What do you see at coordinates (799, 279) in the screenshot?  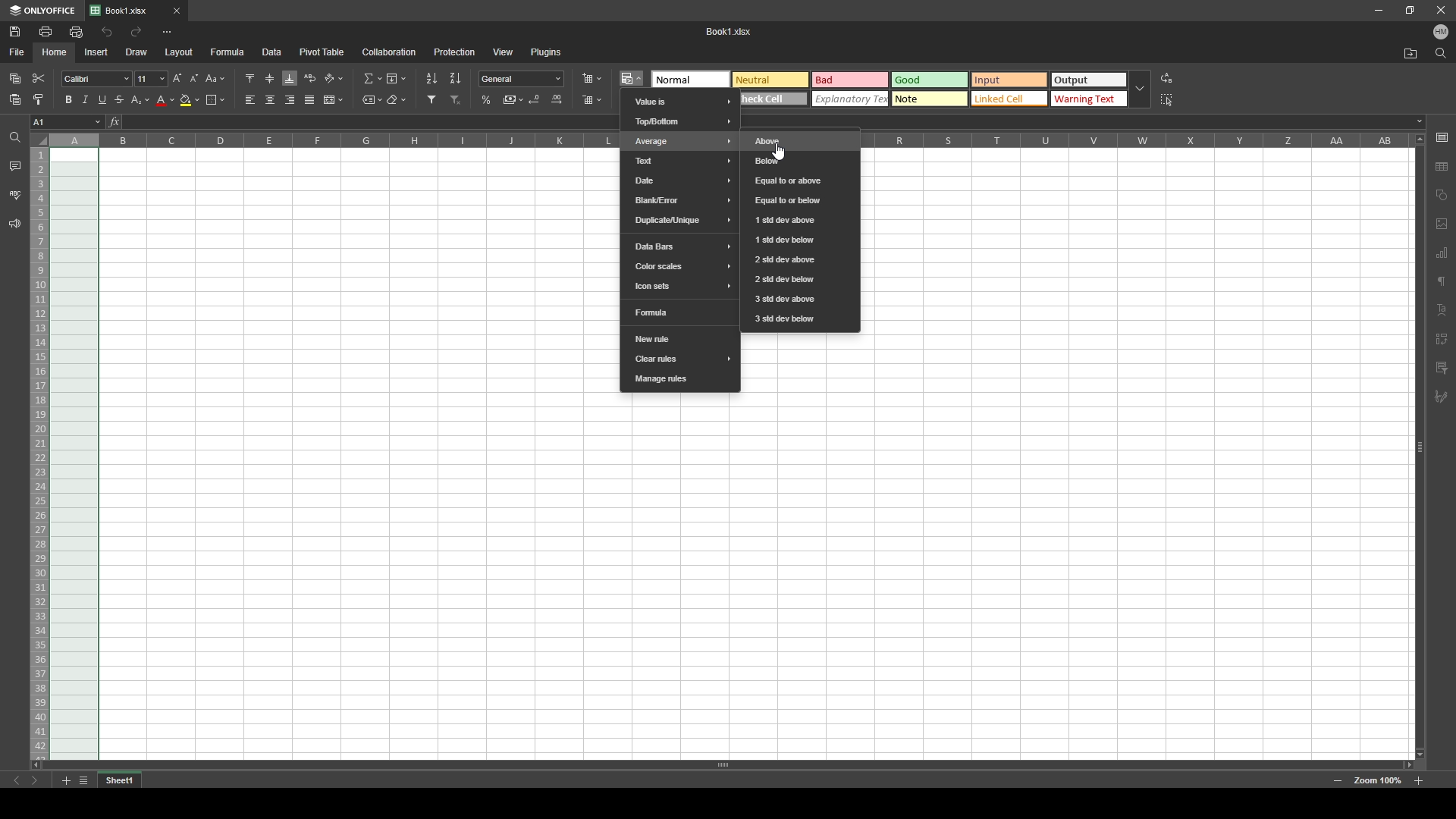 I see `2 std dev below` at bounding box center [799, 279].